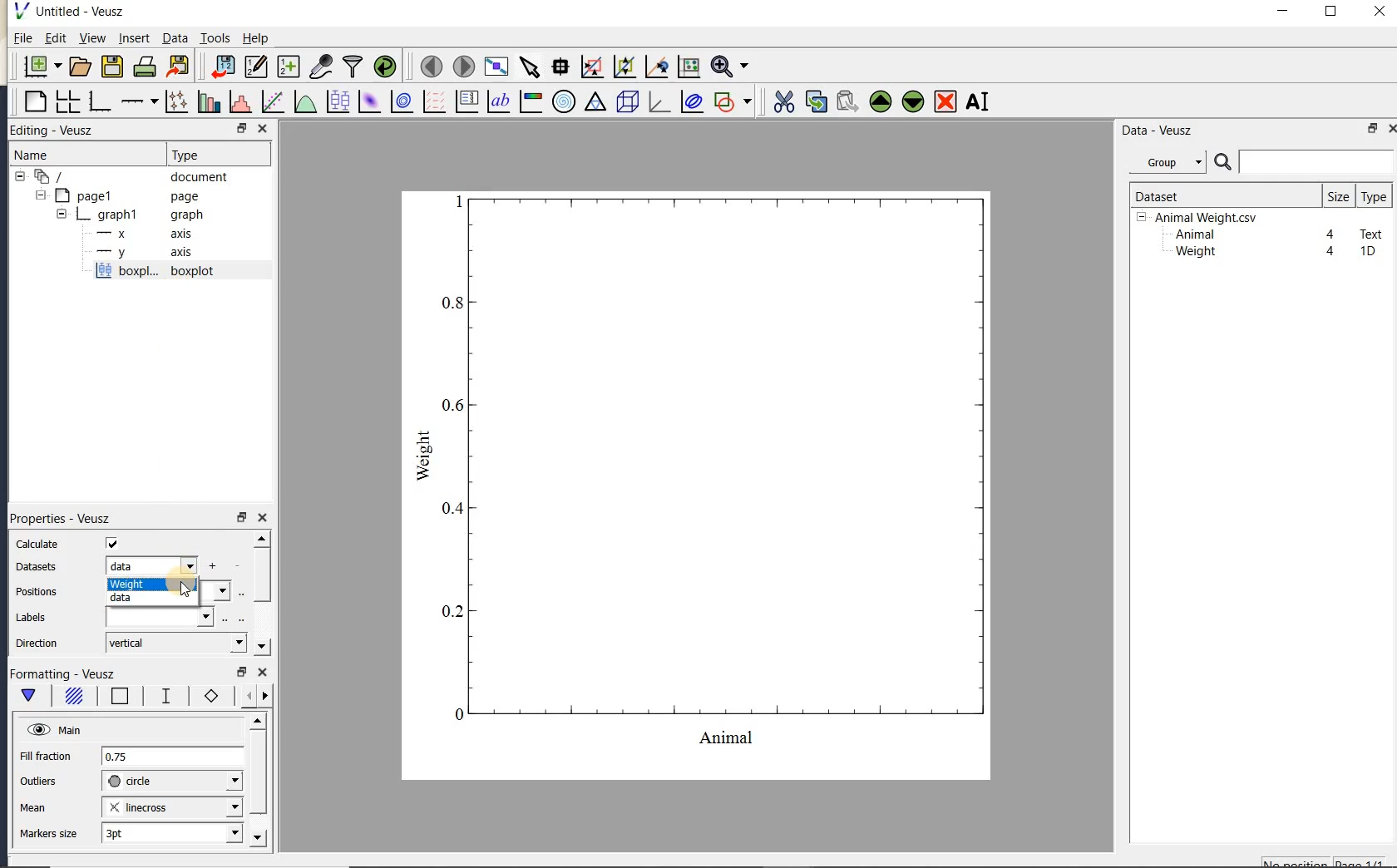  Describe the element at coordinates (1372, 232) in the screenshot. I see `Text` at that location.